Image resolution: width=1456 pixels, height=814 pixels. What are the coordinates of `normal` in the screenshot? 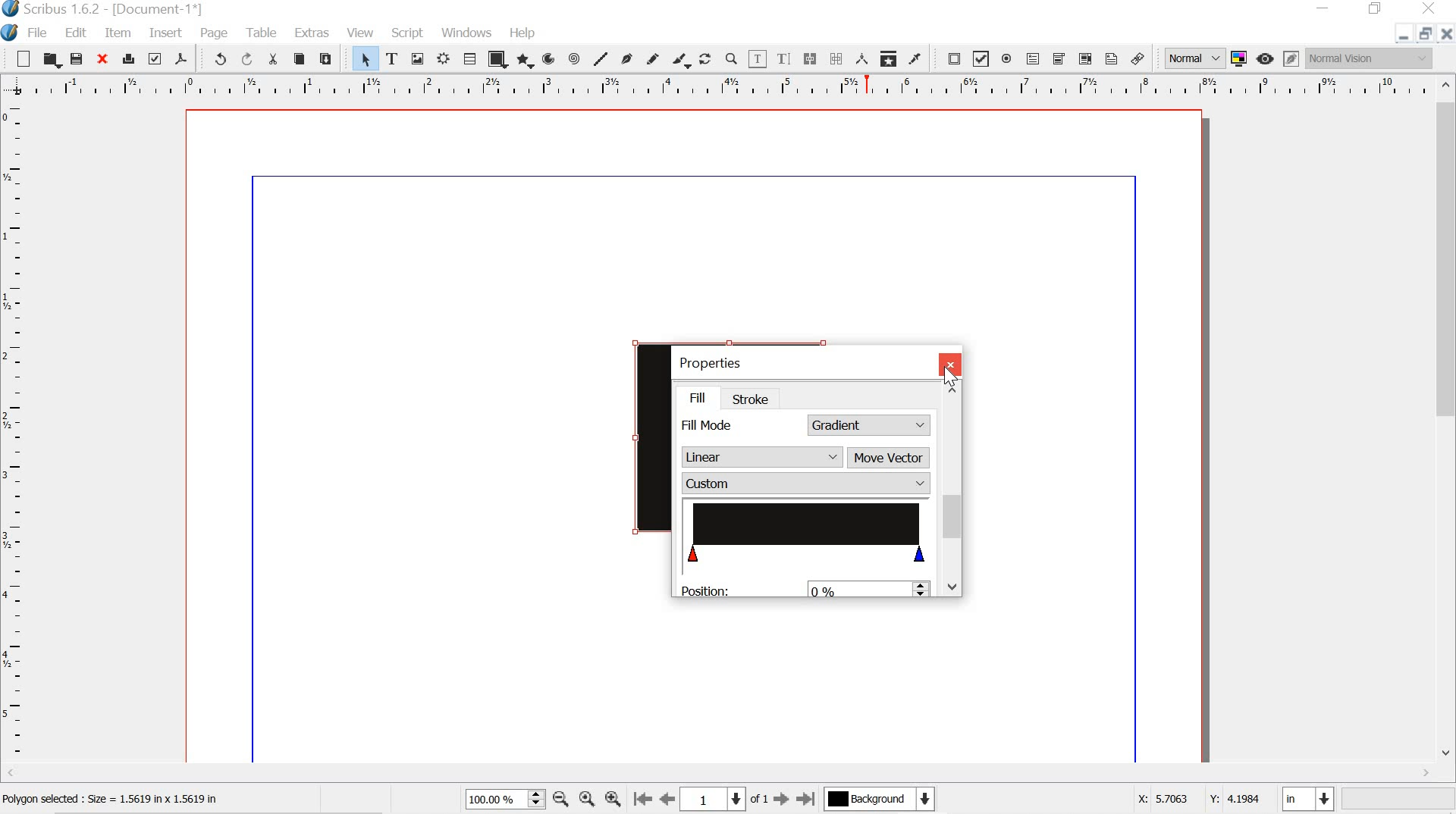 It's located at (1194, 58).